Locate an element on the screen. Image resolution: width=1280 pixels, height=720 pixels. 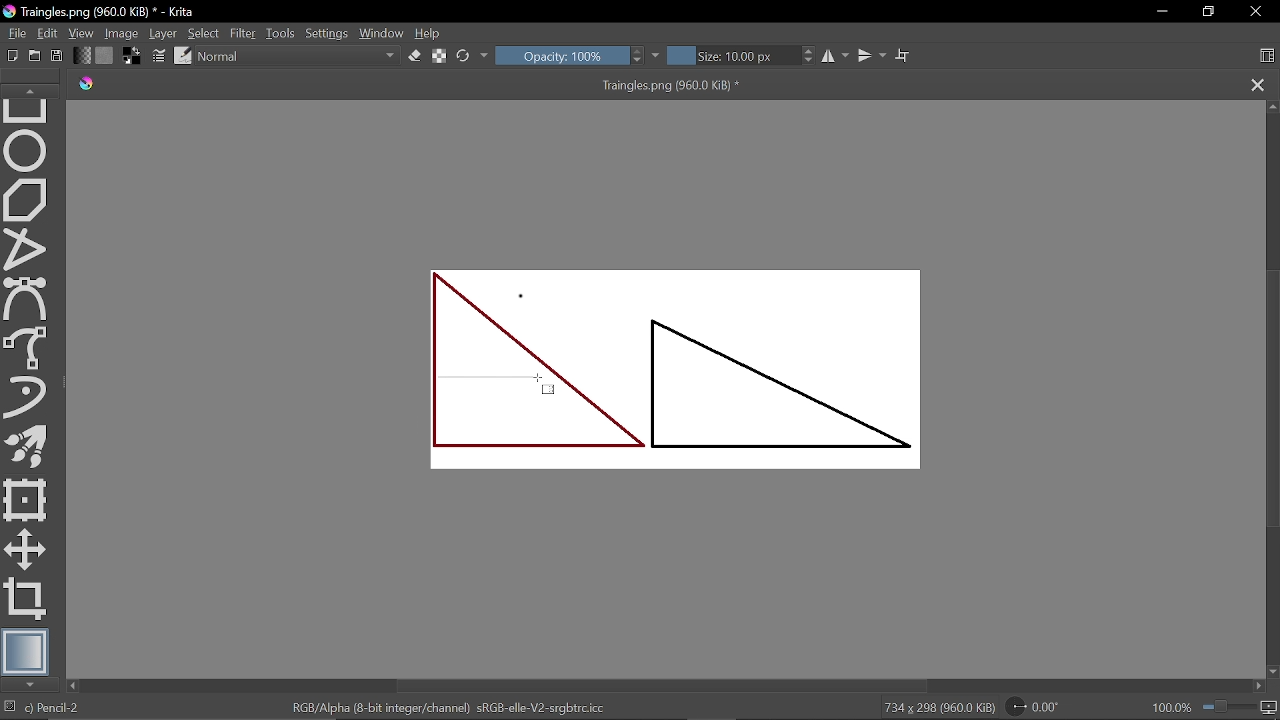
Pencil-2 is located at coordinates (74, 708).